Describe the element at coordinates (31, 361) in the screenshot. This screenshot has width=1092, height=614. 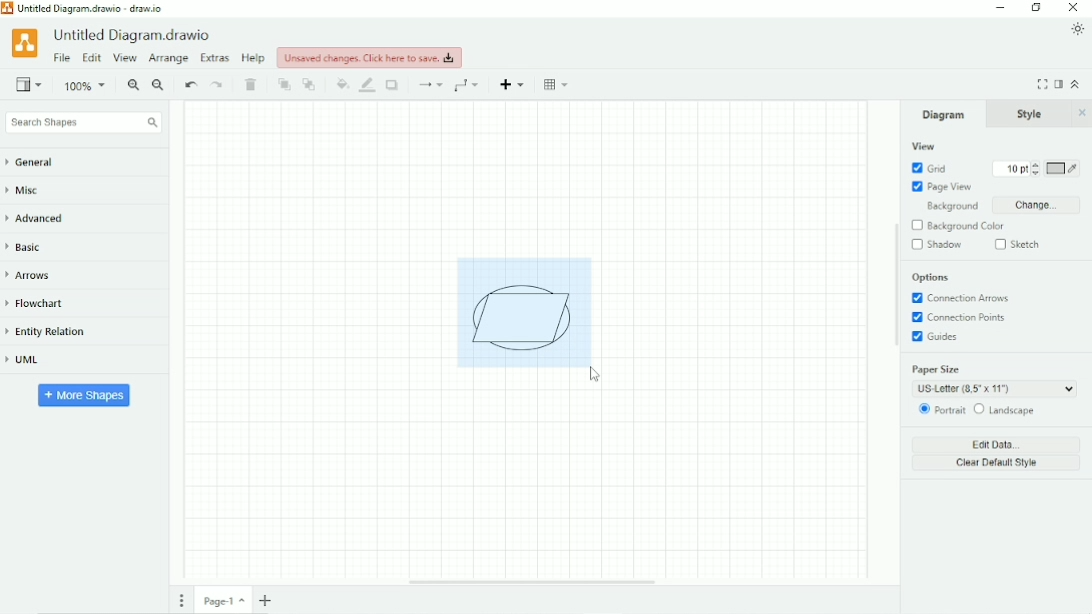
I see `UML` at that location.